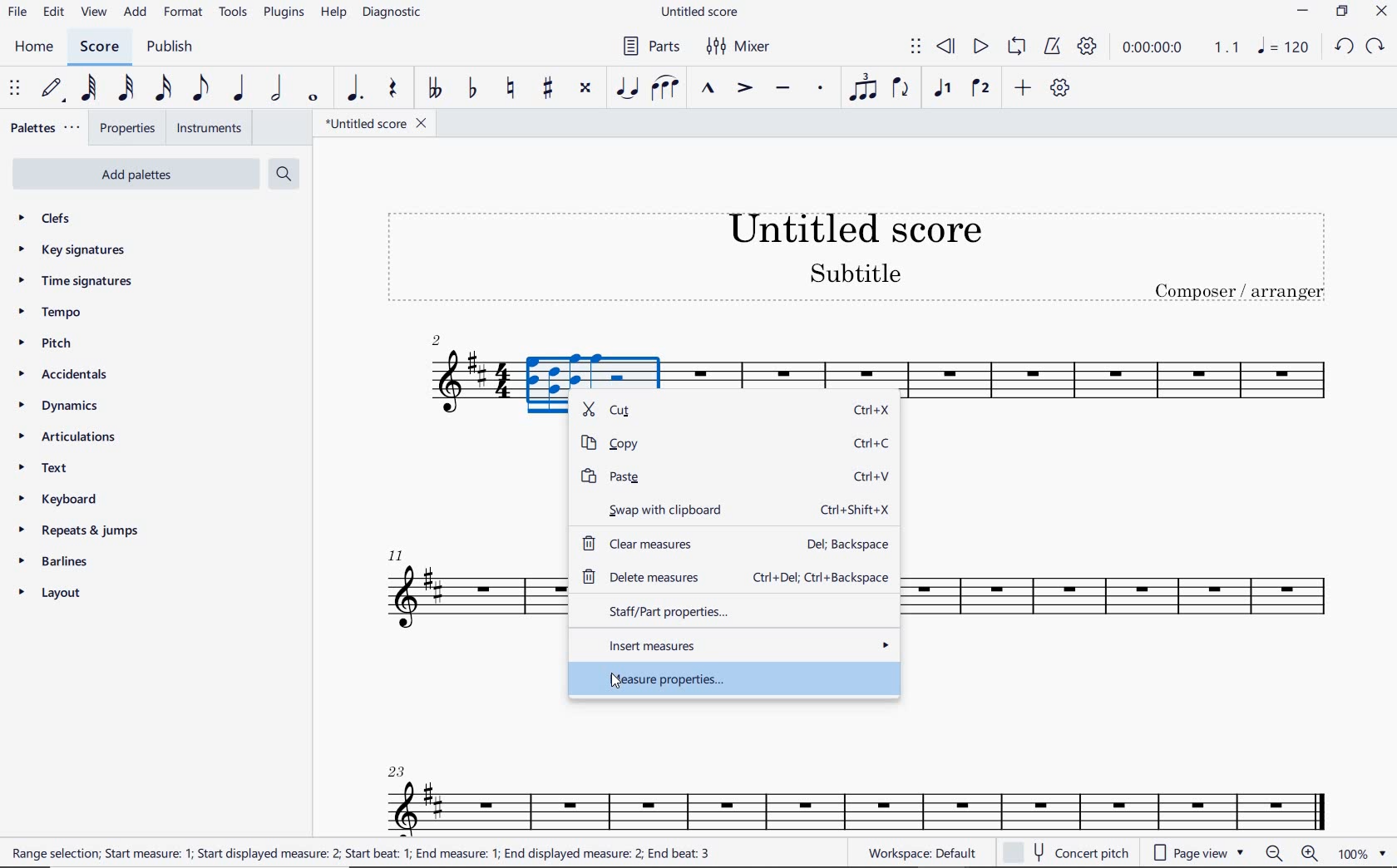 The height and width of the screenshot is (868, 1397). I want to click on ADD PALETTES, so click(134, 173).